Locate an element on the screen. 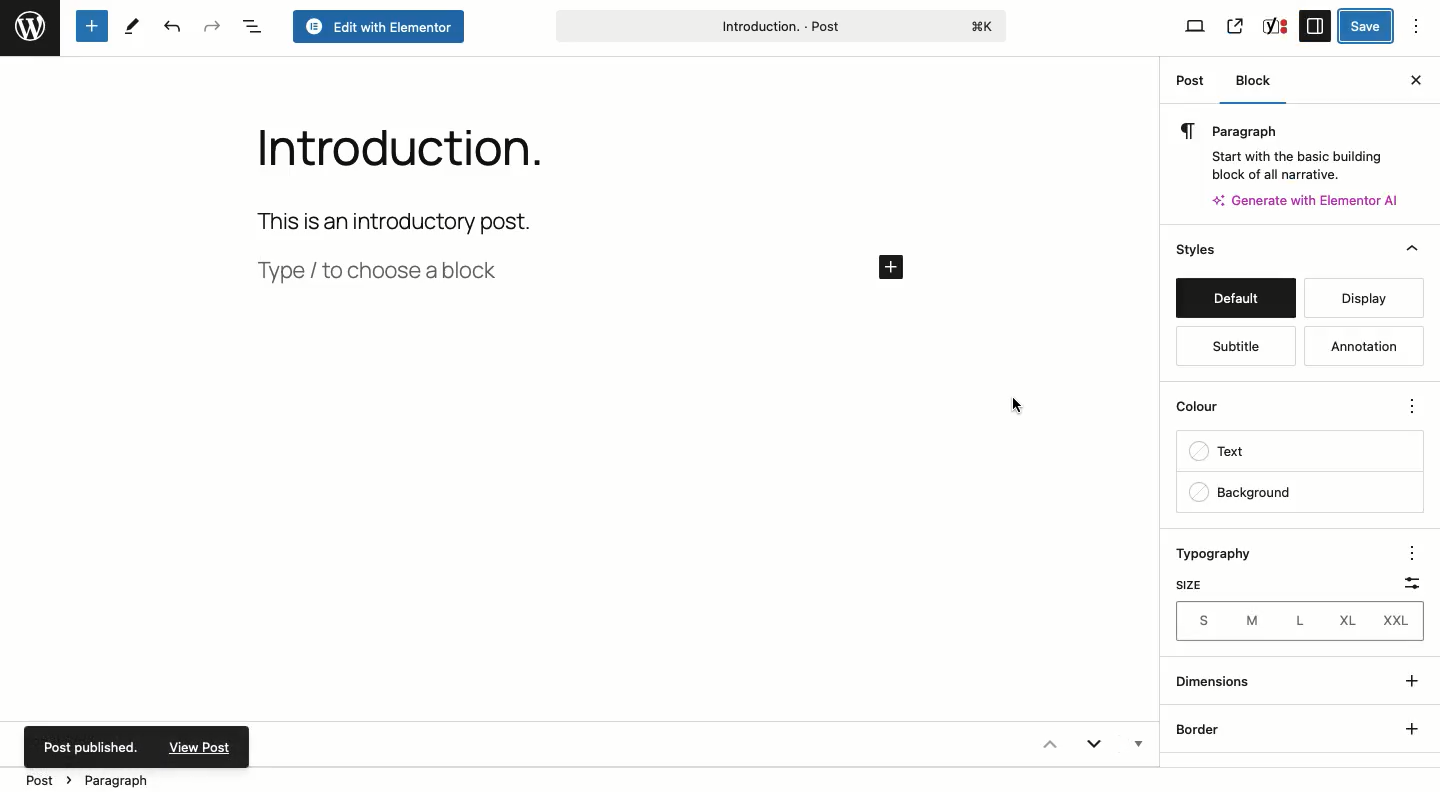 Image resolution: width=1440 pixels, height=792 pixels. Color is located at coordinates (1208, 411).